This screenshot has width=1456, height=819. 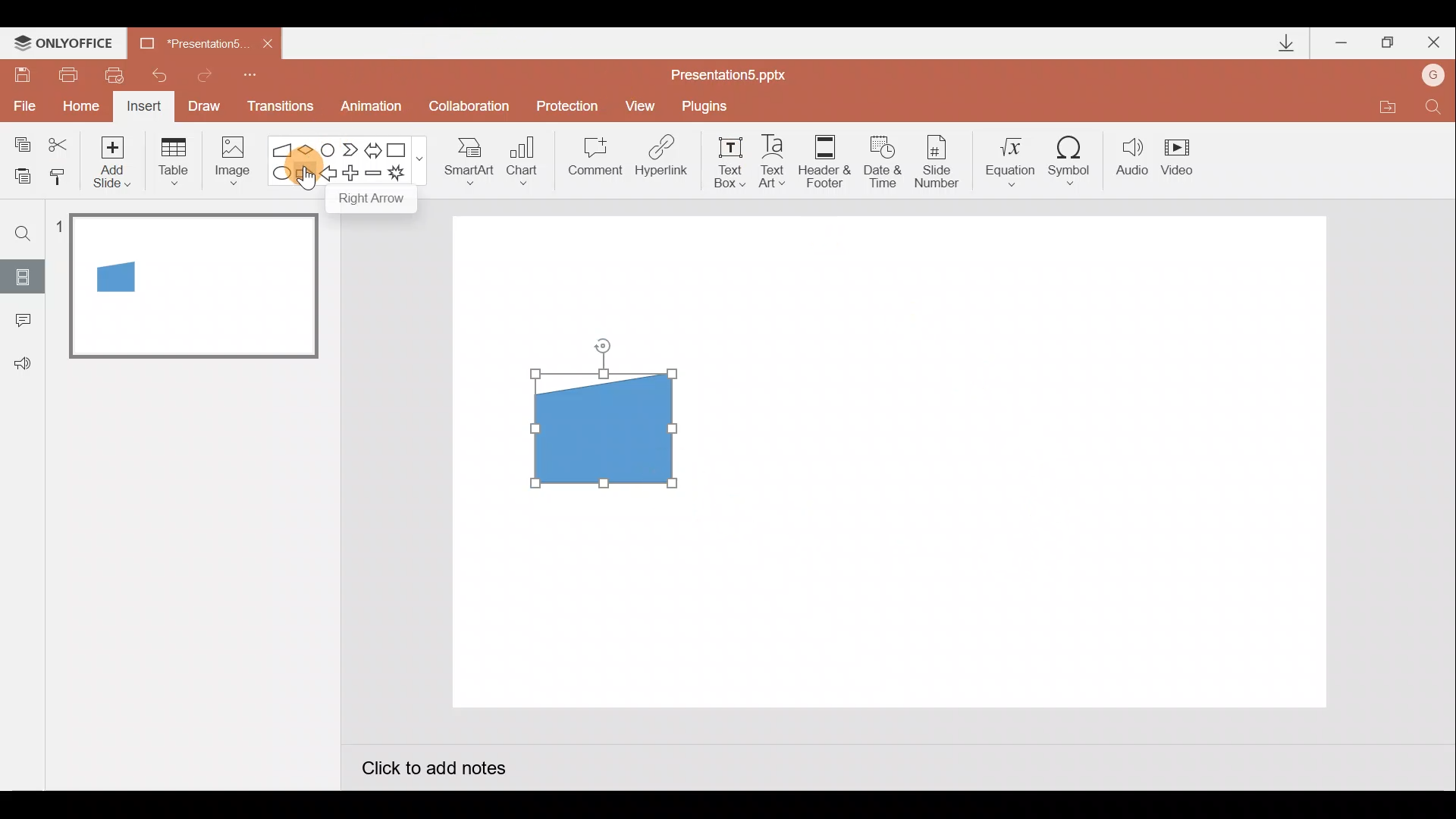 I want to click on Find, so click(x=1433, y=111).